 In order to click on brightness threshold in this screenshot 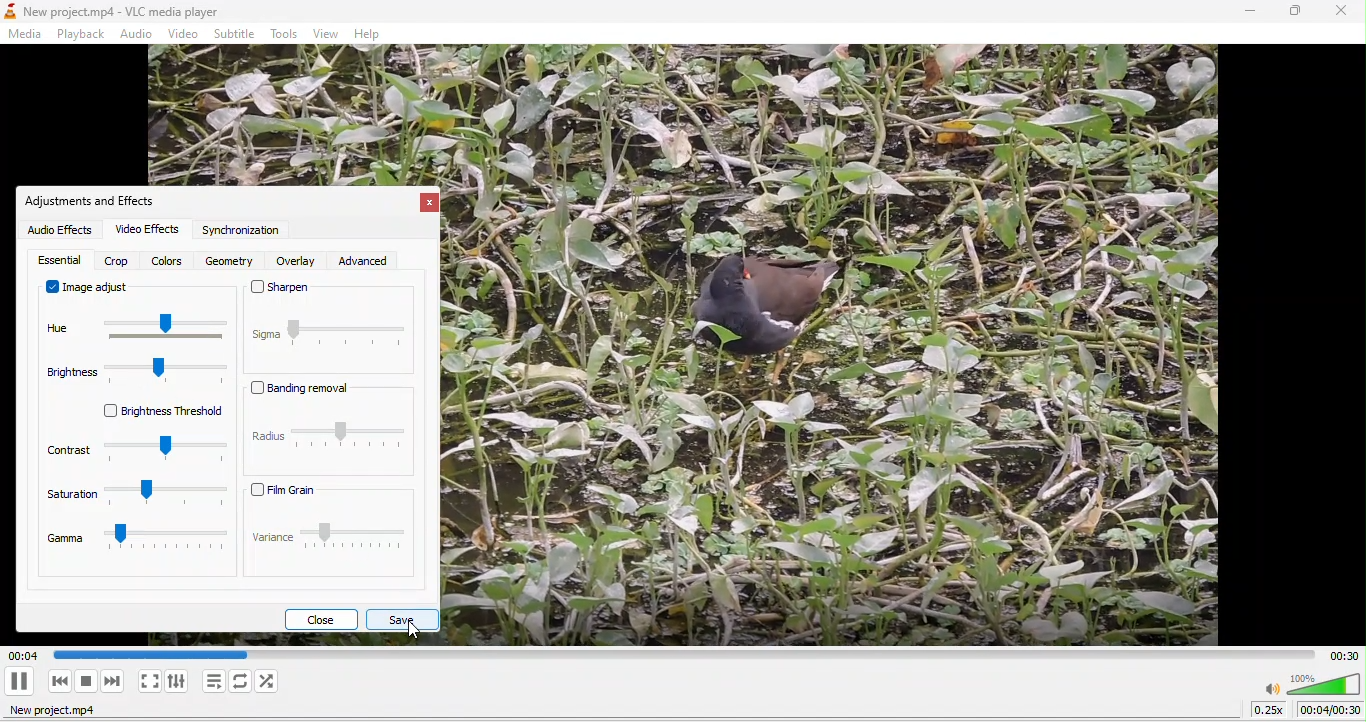, I will do `click(149, 413)`.